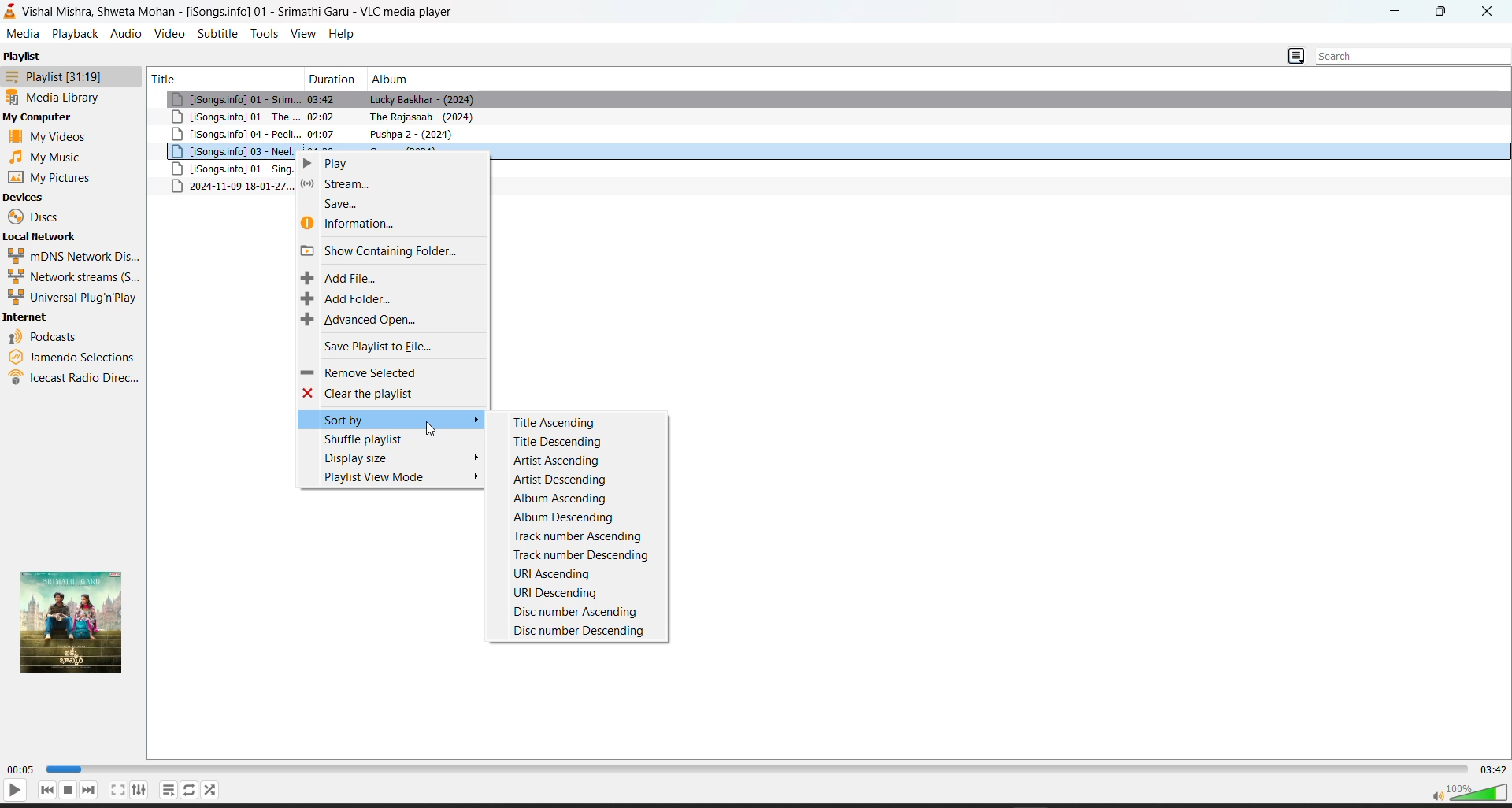 The height and width of the screenshot is (808, 1512). What do you see at coordinates (432, 427) in the screenshot?
I see `cursor` at bounding box center [432, 427].